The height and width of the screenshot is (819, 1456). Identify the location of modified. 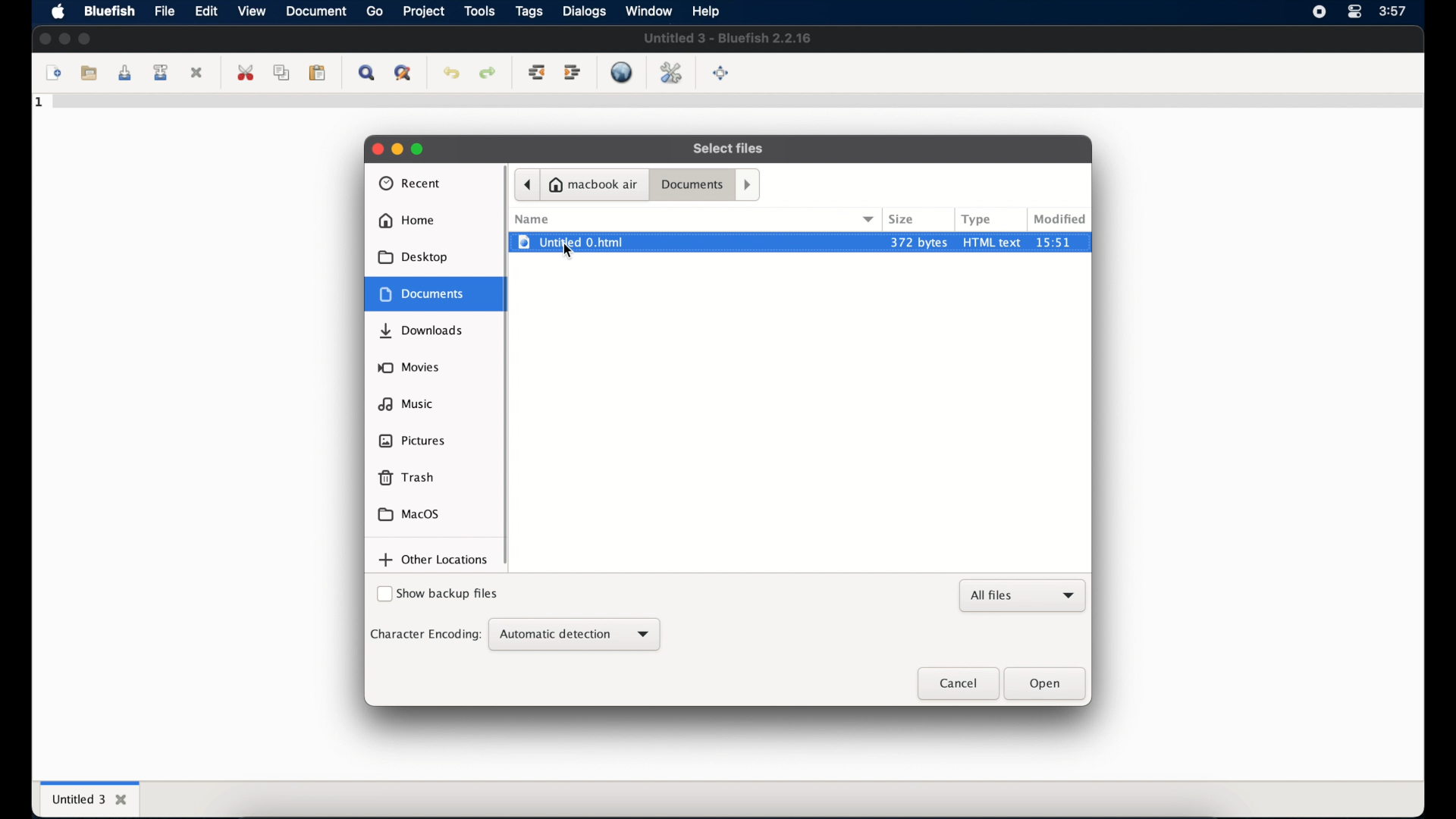
(1060, 219).